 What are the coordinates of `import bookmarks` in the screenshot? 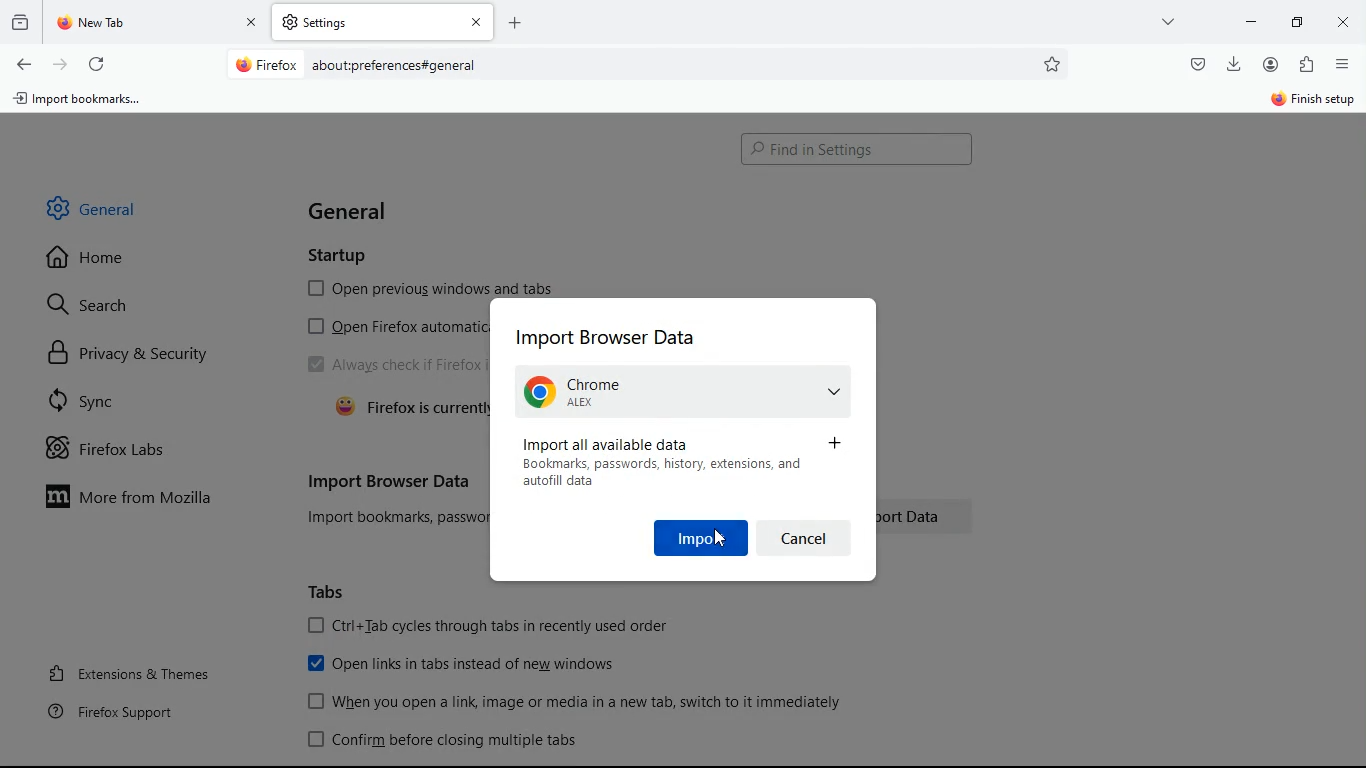 It's located at (80, 102).